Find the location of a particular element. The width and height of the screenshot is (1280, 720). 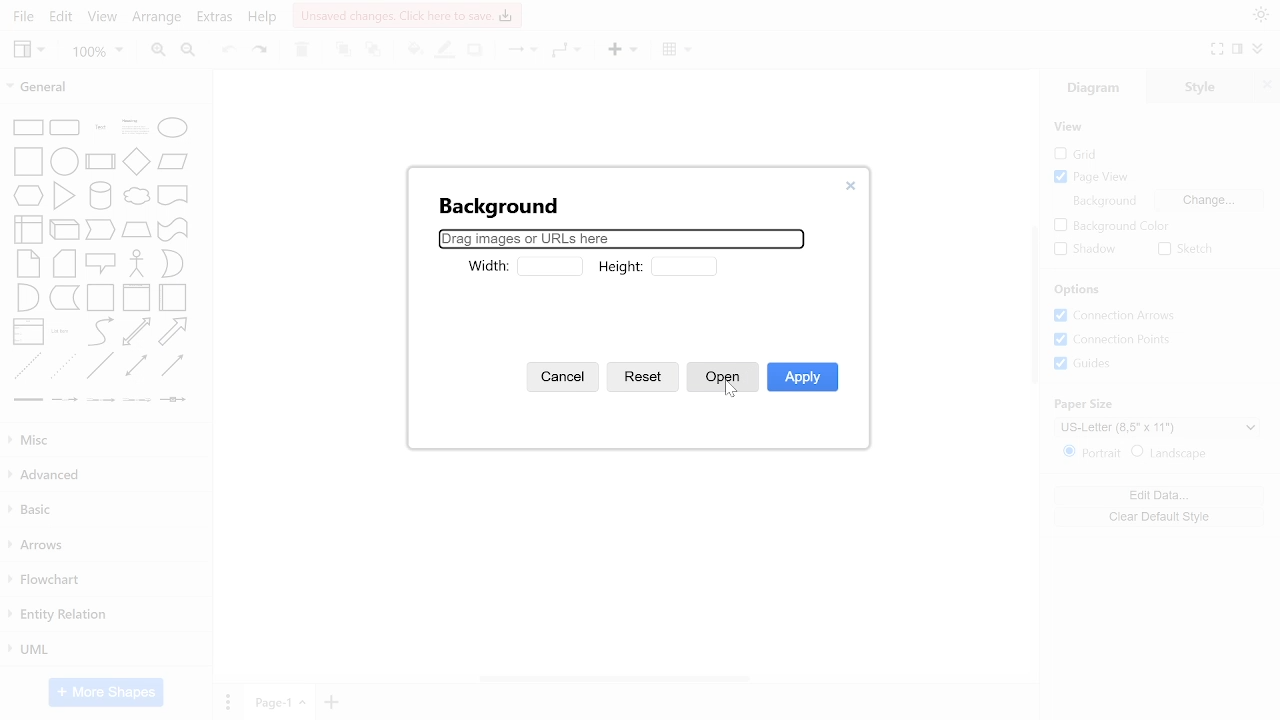

vertical scrollbar is located at coordinates (1032, 309).